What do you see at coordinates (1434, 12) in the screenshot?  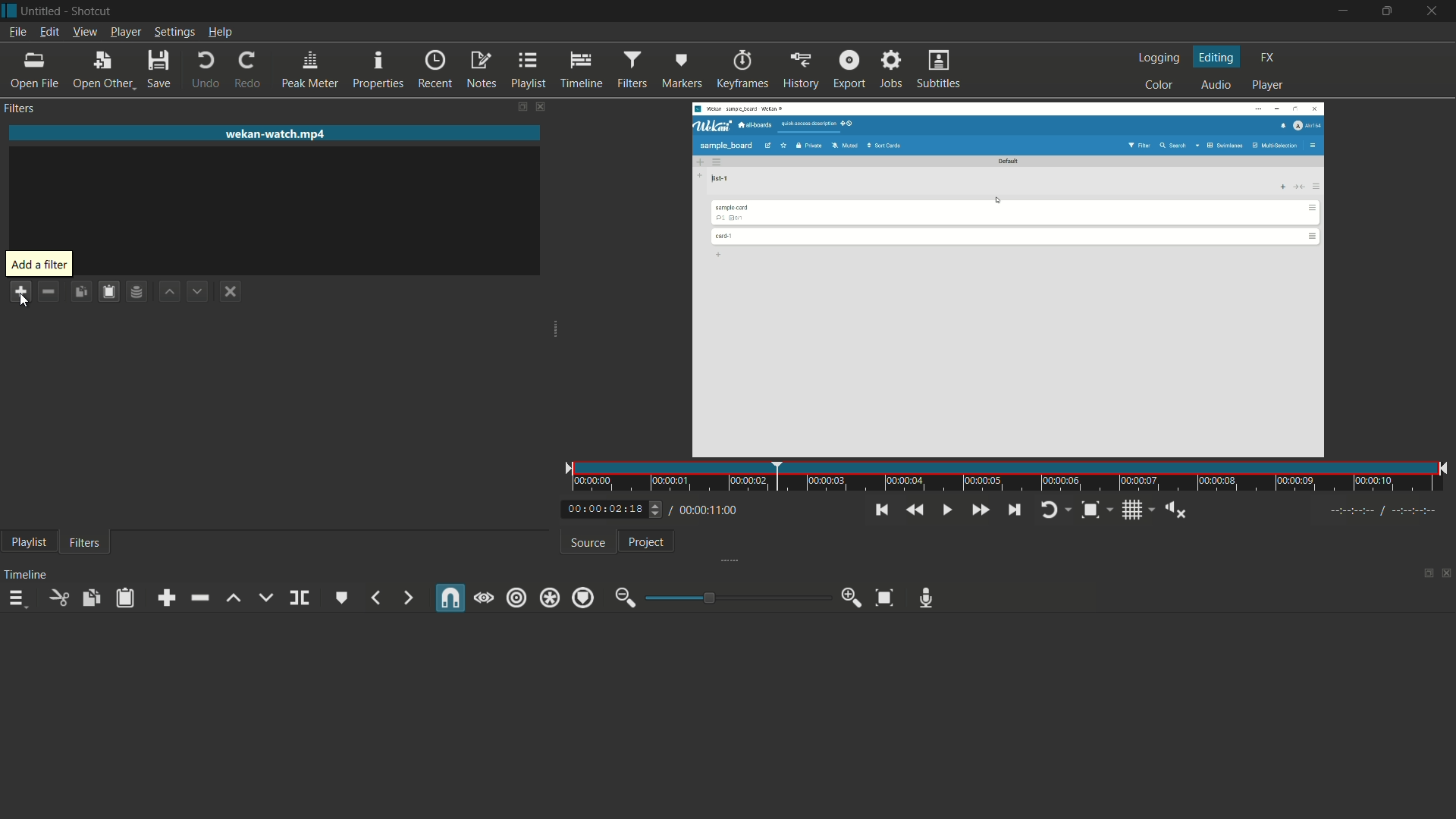 I see `close app` at bounding box center [1434, 12].